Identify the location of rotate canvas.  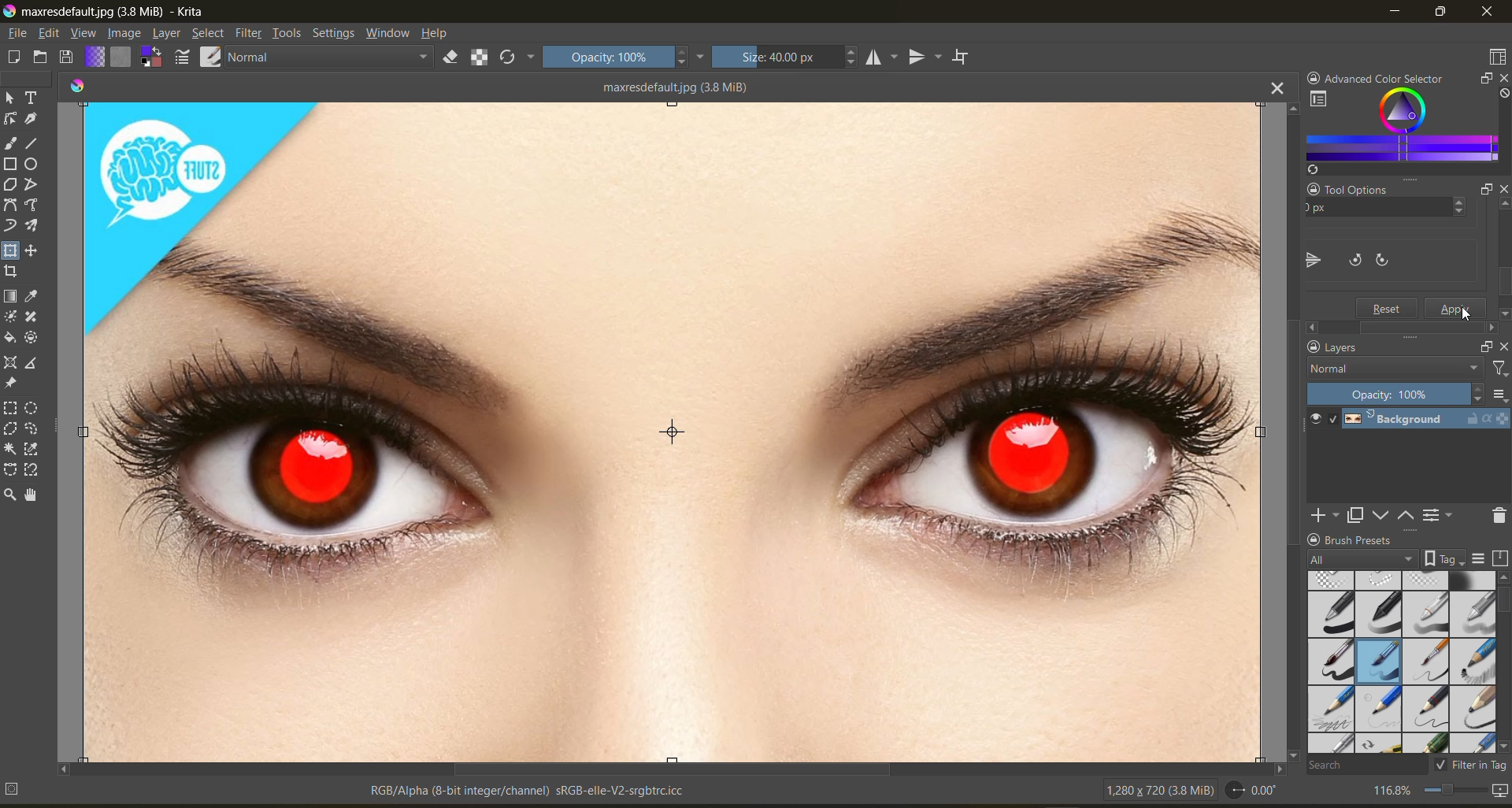
(1256, 793).